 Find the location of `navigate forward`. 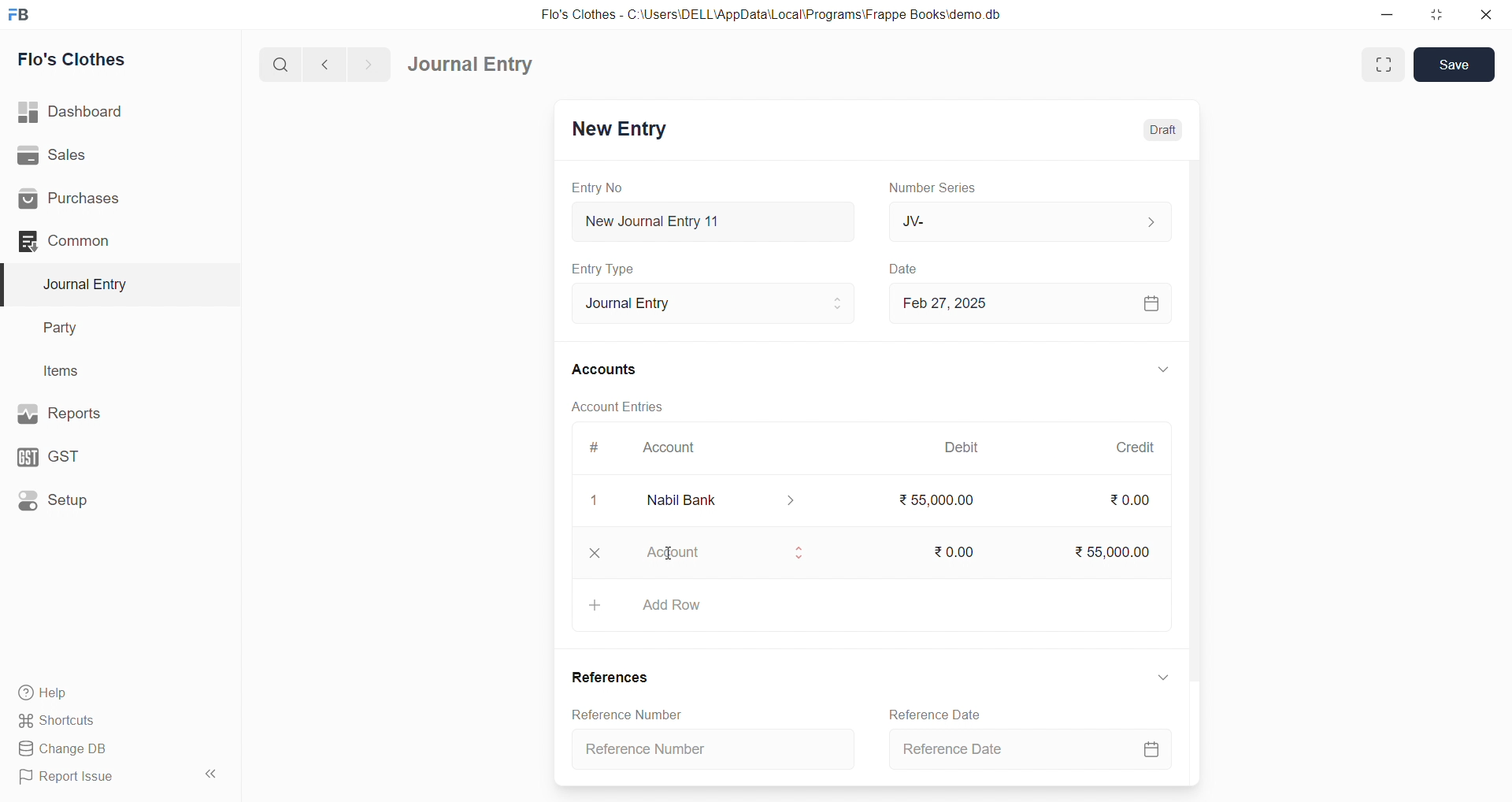

navigate forward is located at coordinates (372, 64).